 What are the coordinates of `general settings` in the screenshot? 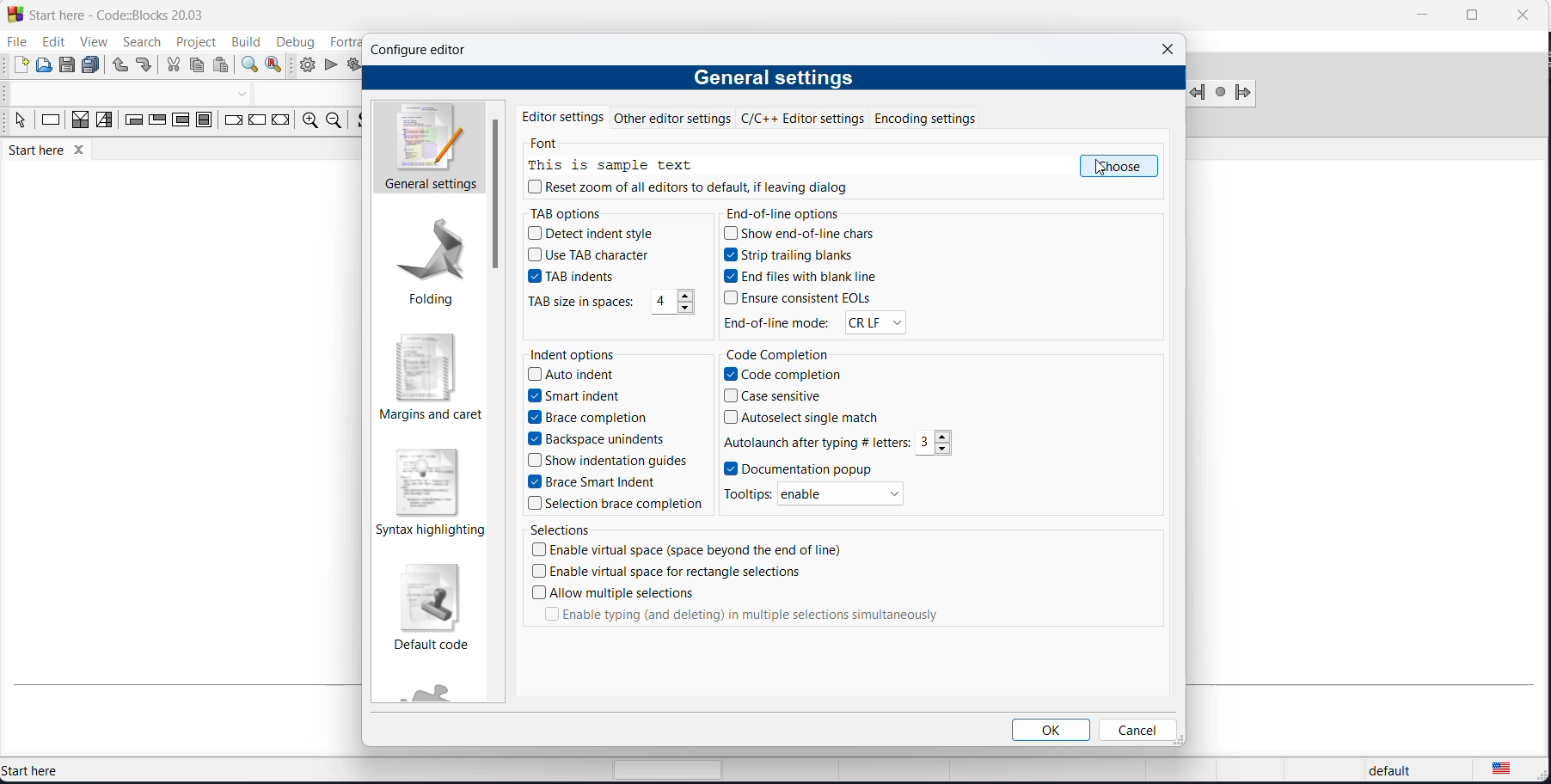 It's located at (428, 149).